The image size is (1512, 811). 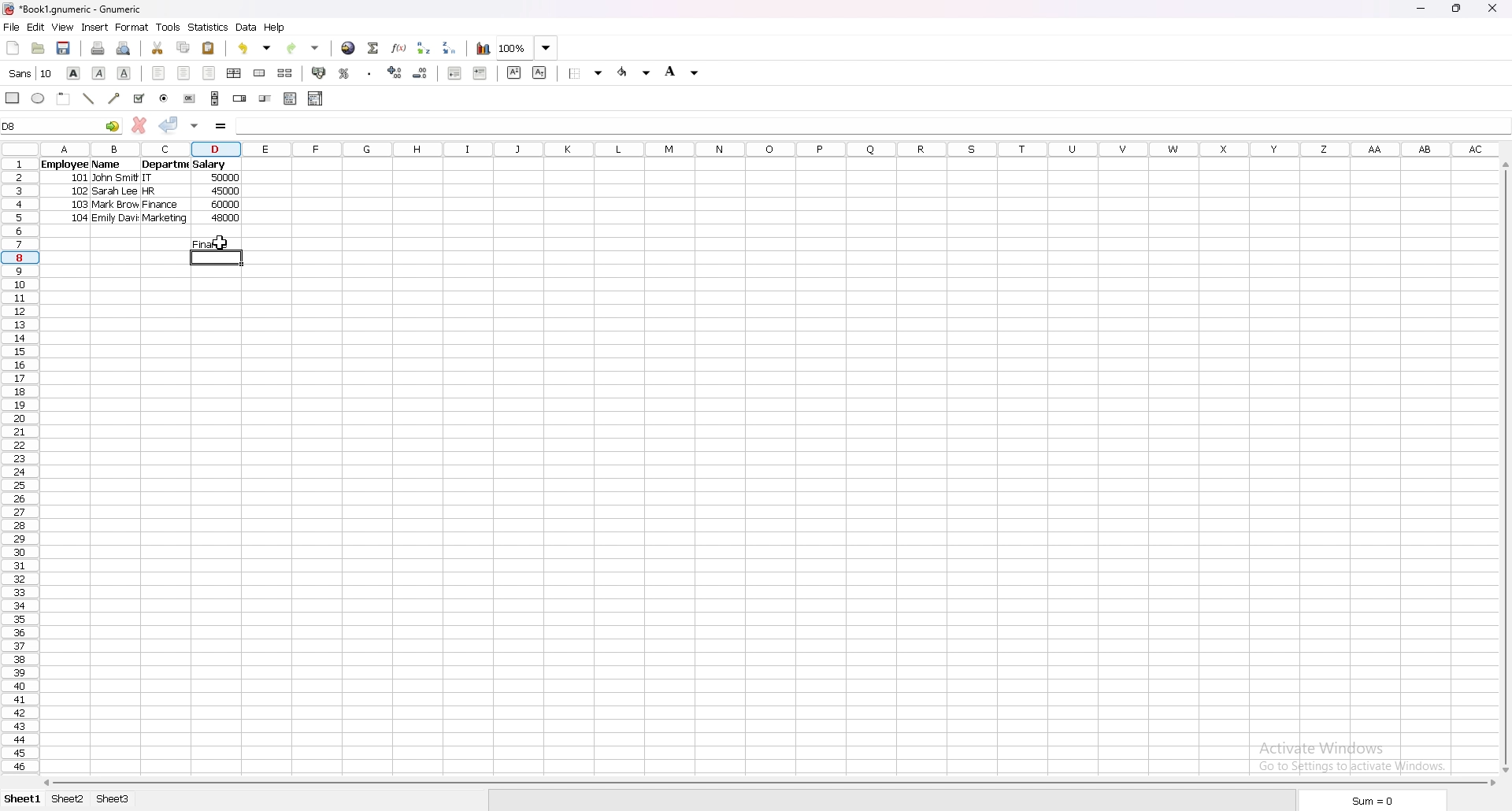 What do you see at coordinates (374, 48) in the screenshot?
I see `summation` at bounding box center [374, 48].